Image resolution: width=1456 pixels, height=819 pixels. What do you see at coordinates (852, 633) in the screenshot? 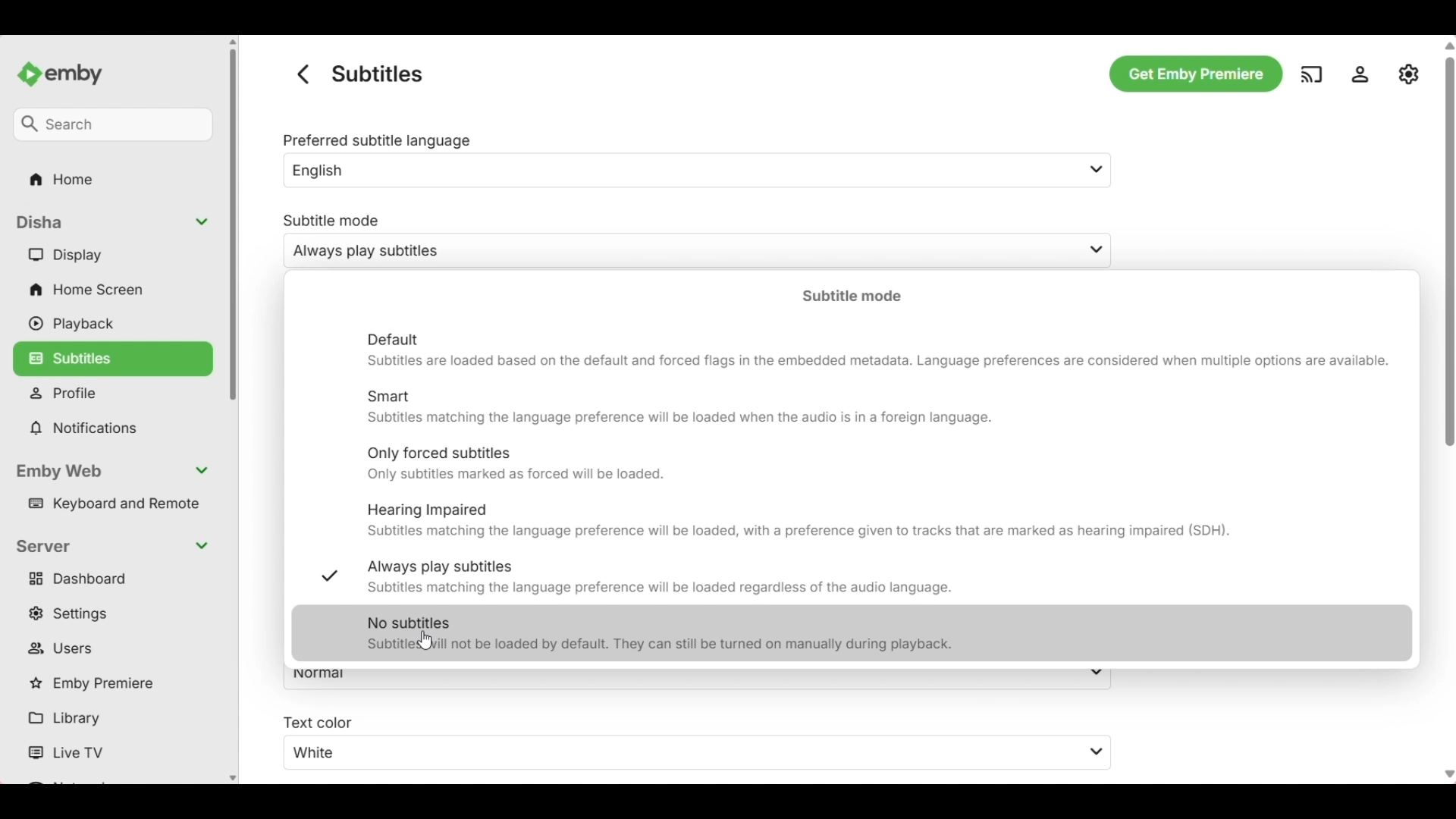
I see `New selection highlighted` at bounding box center [852, 633].